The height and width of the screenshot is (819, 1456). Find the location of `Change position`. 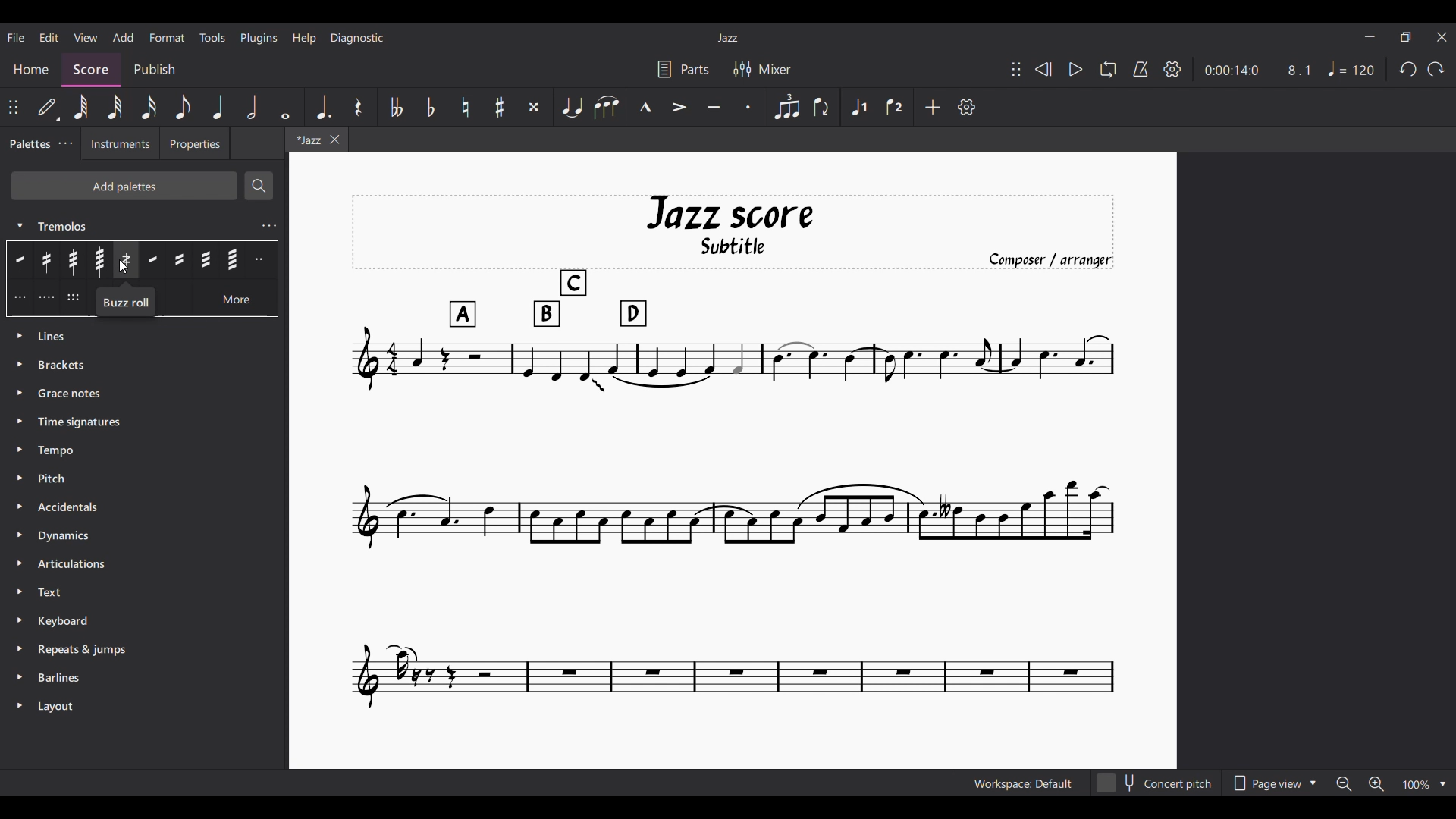

Change position is located at coordinates (13, 107).